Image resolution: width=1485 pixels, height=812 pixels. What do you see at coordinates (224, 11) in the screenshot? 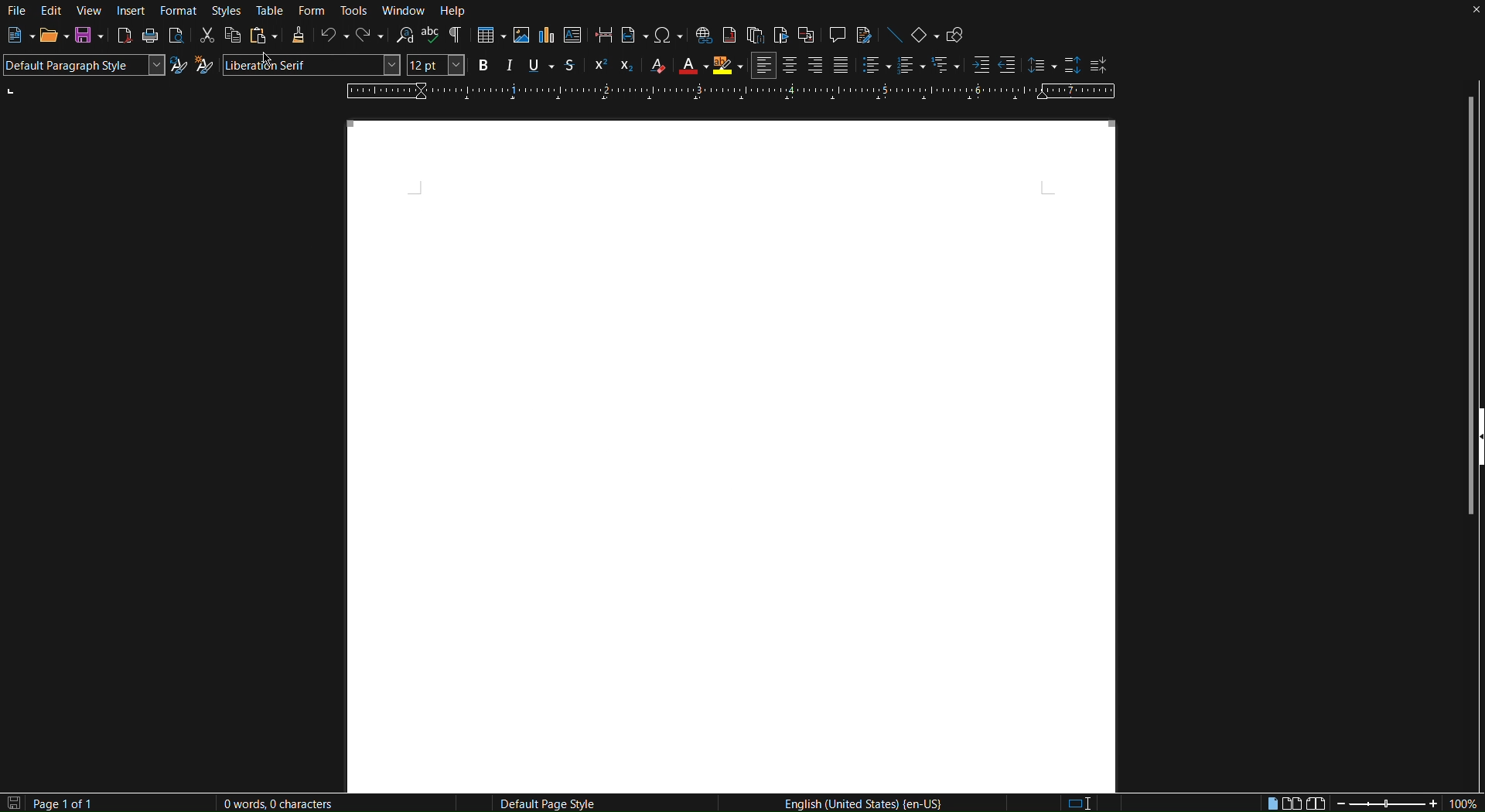
I see `Styles` at bounding box center [224, 11].